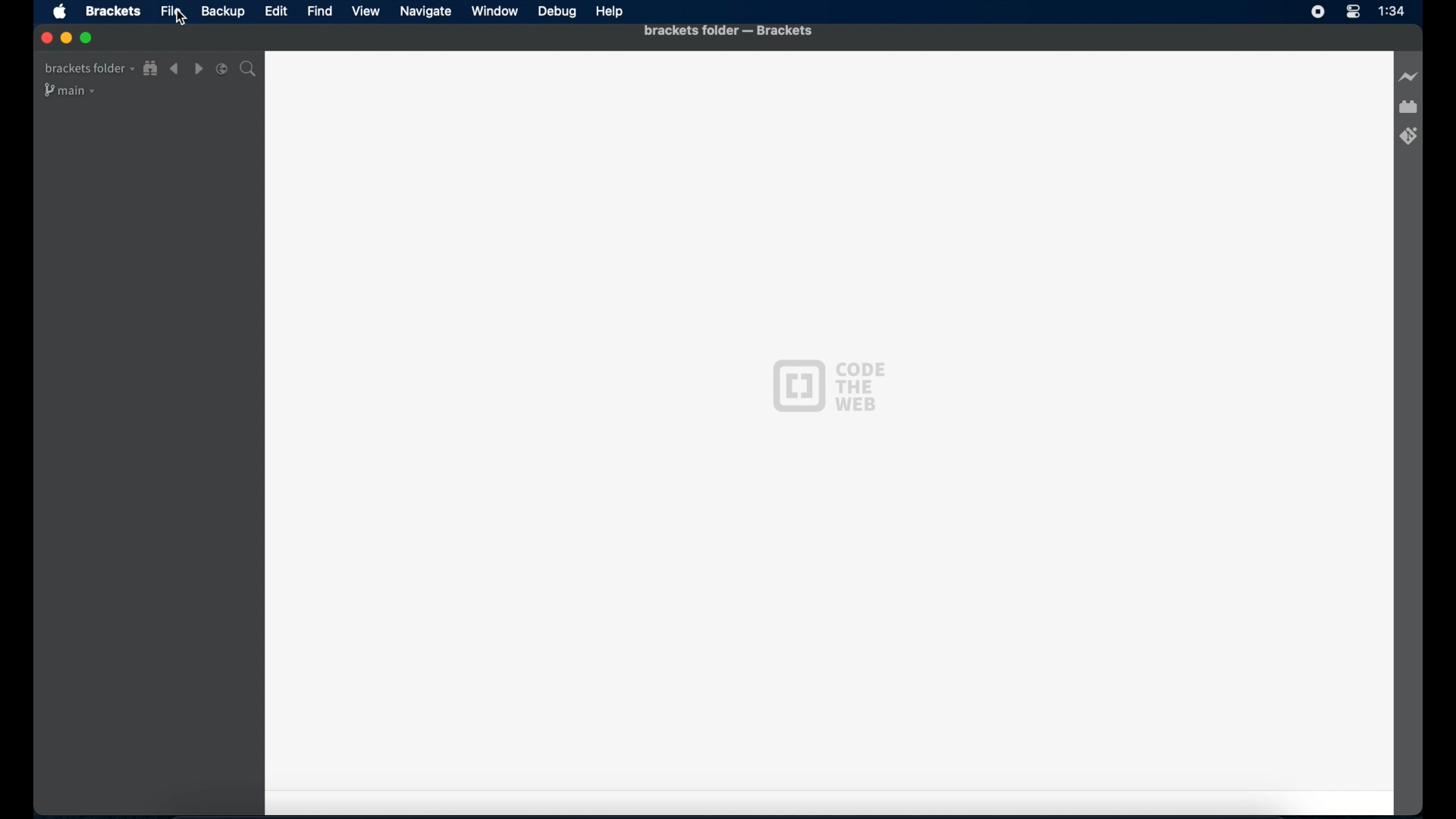  I want to click on Extension manager, so click(1408, 107).